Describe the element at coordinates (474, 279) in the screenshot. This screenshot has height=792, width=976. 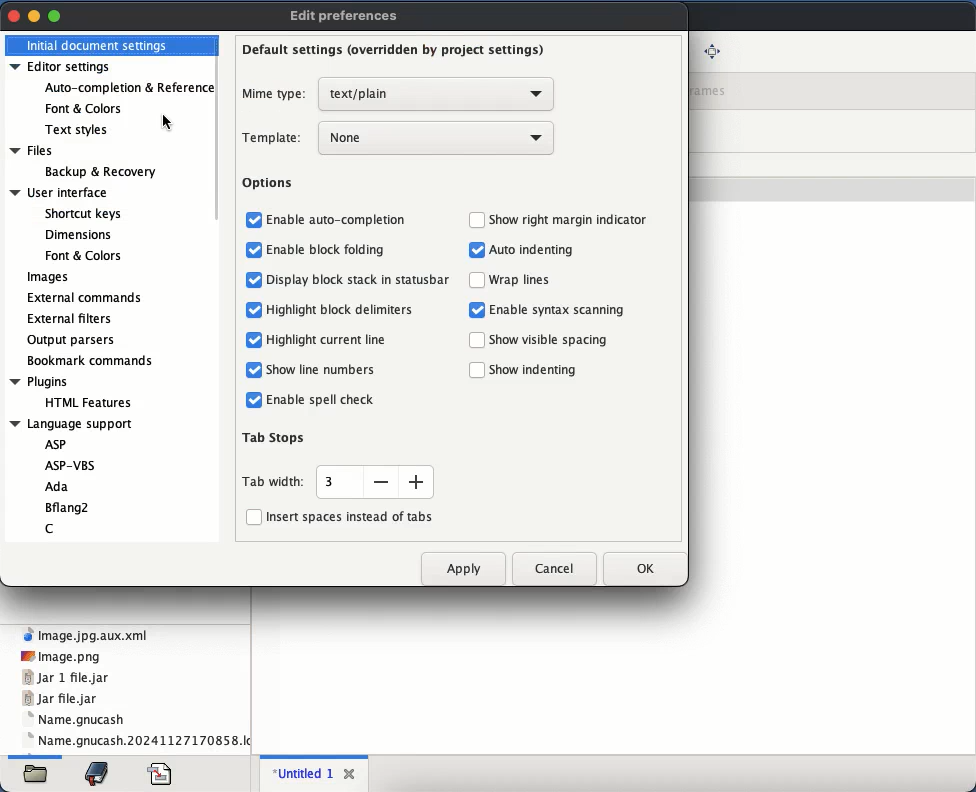
I see `checkbox` at that location.